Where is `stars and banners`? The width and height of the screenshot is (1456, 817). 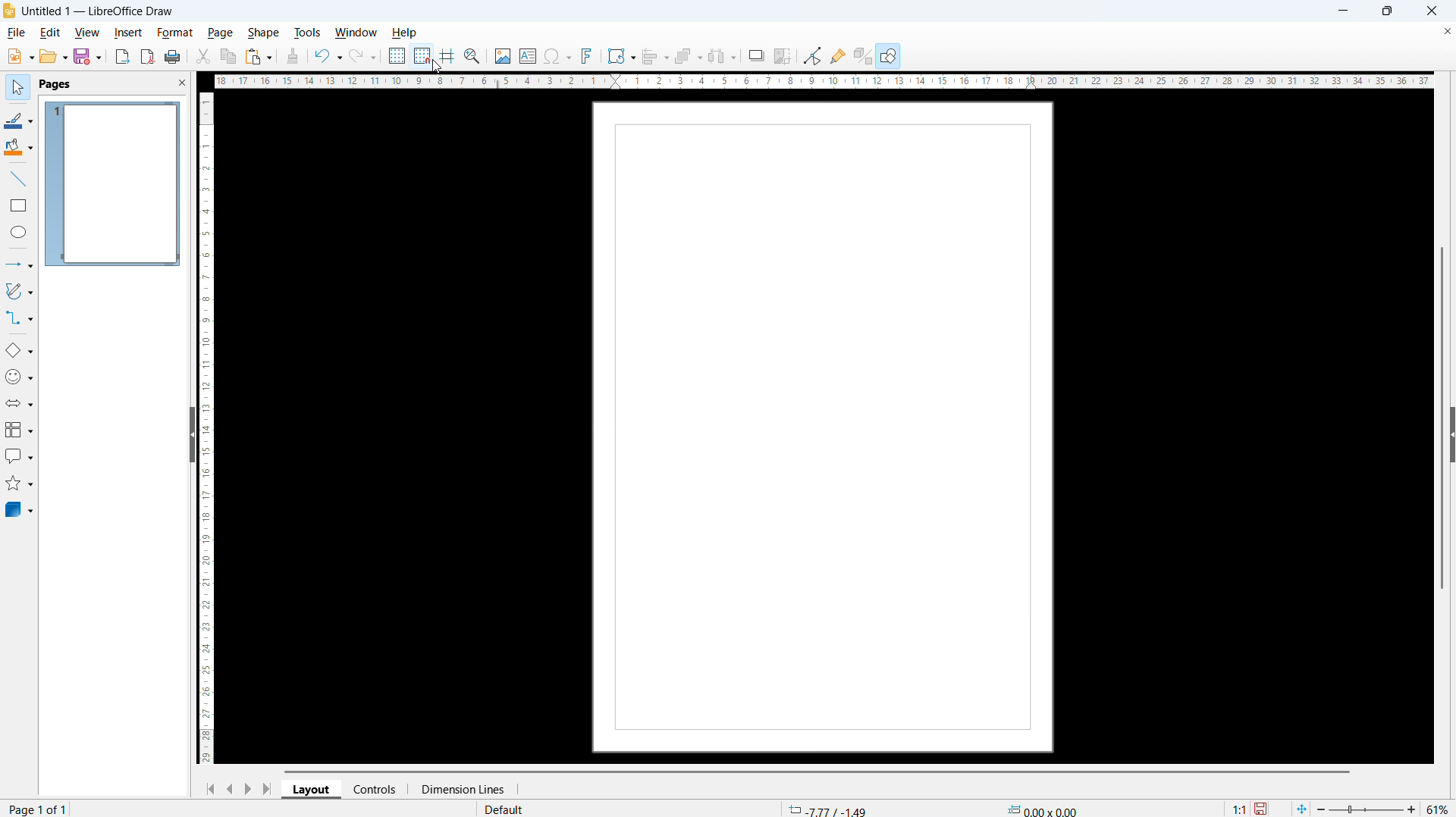
stars and banners is located at coordinates (20, 484).